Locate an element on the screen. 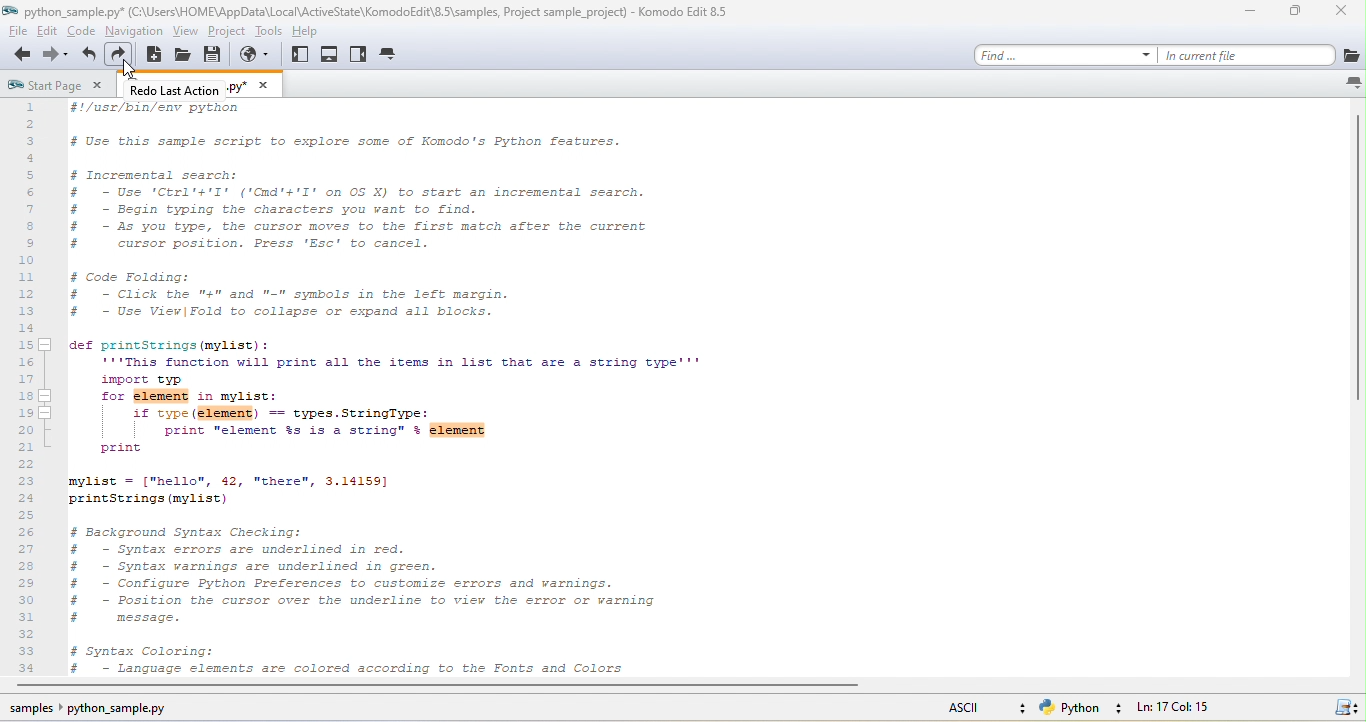 The image size is (1366, 722). project is located at coordinates (225, 32).